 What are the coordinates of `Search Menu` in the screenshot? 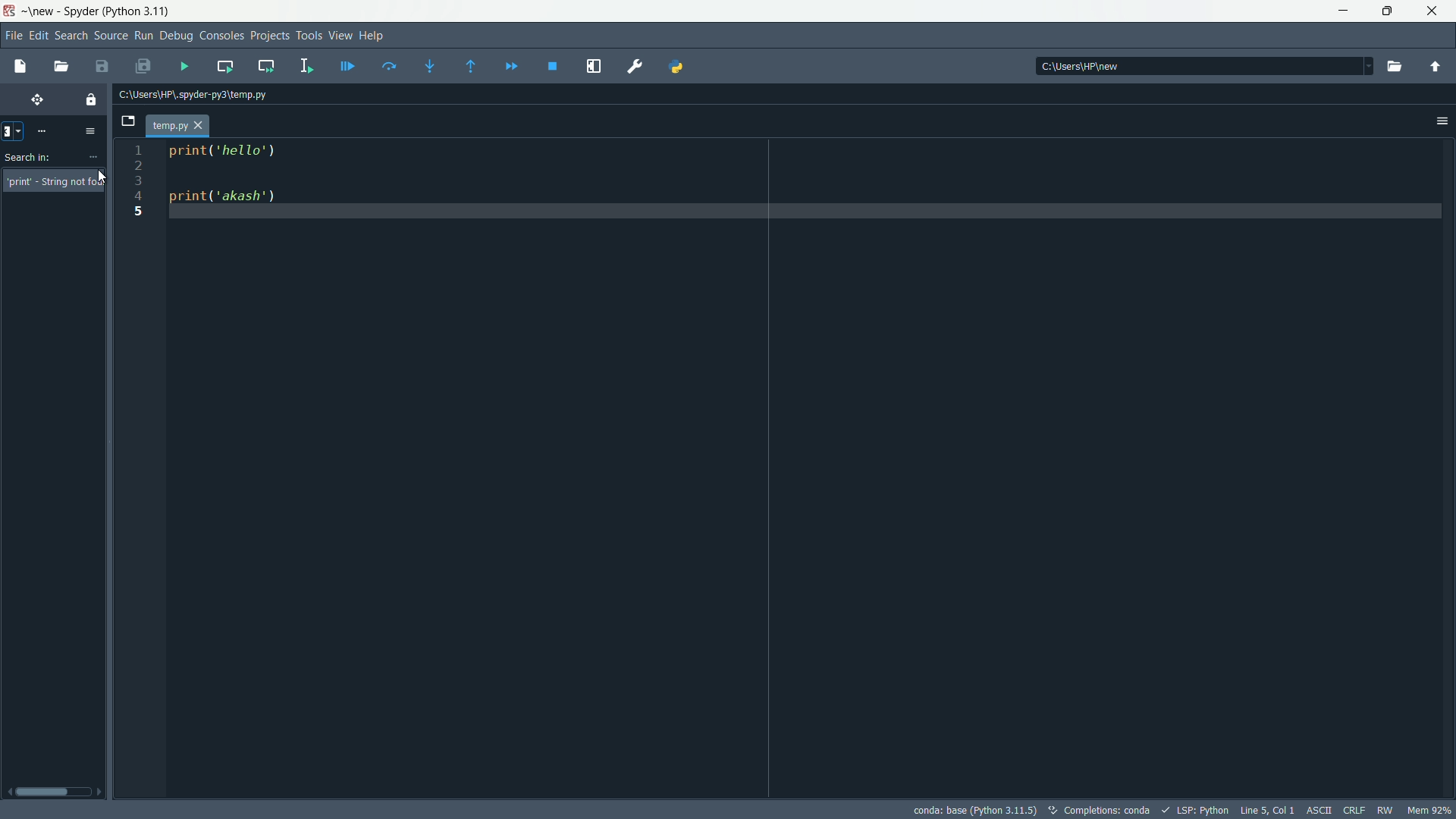 It's located at (70, 35).